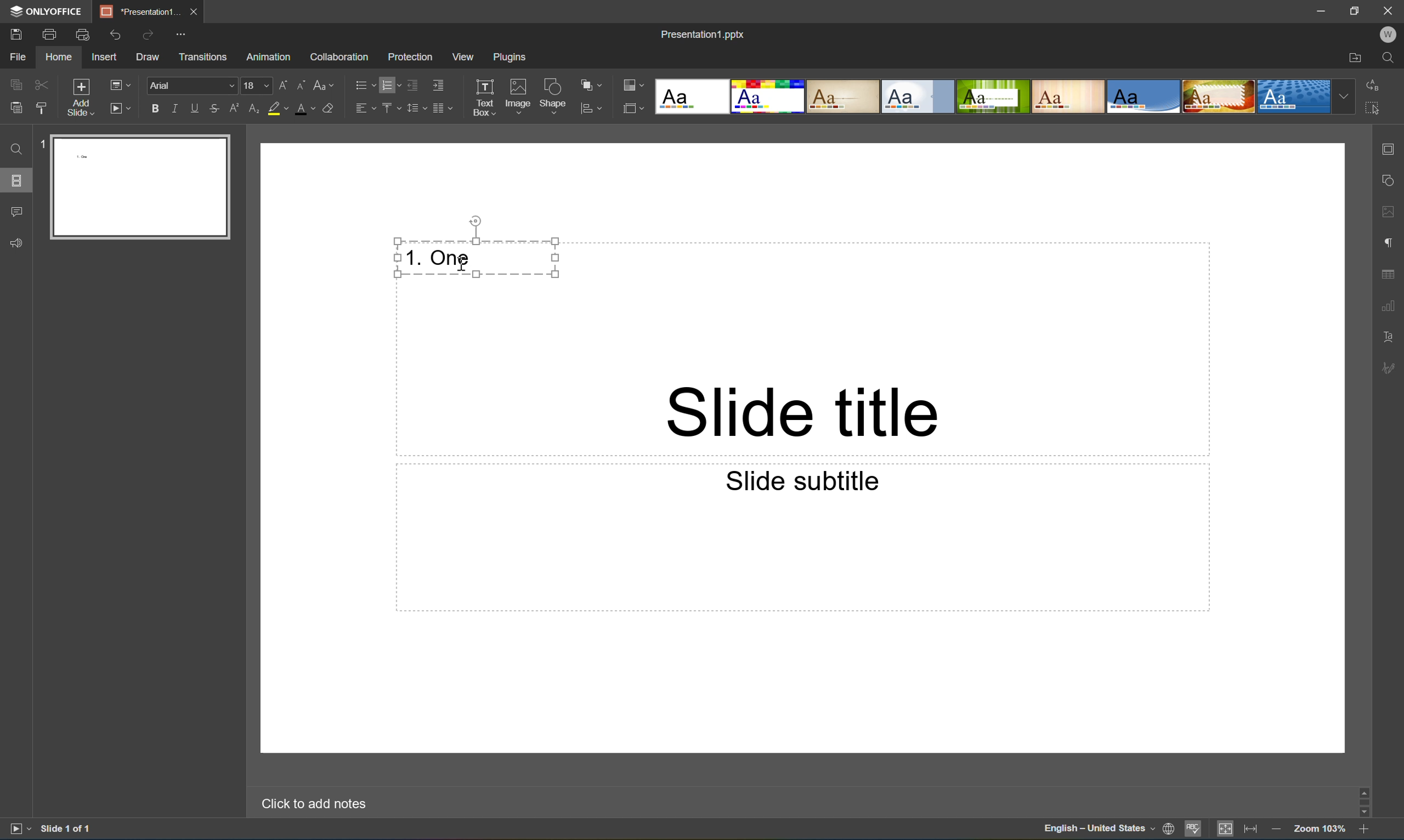 The image size is (1404, 840). What do you see at coordinates (802, 412) in the screenshot?
I see `Slide title` at bounding box center [802, 412].